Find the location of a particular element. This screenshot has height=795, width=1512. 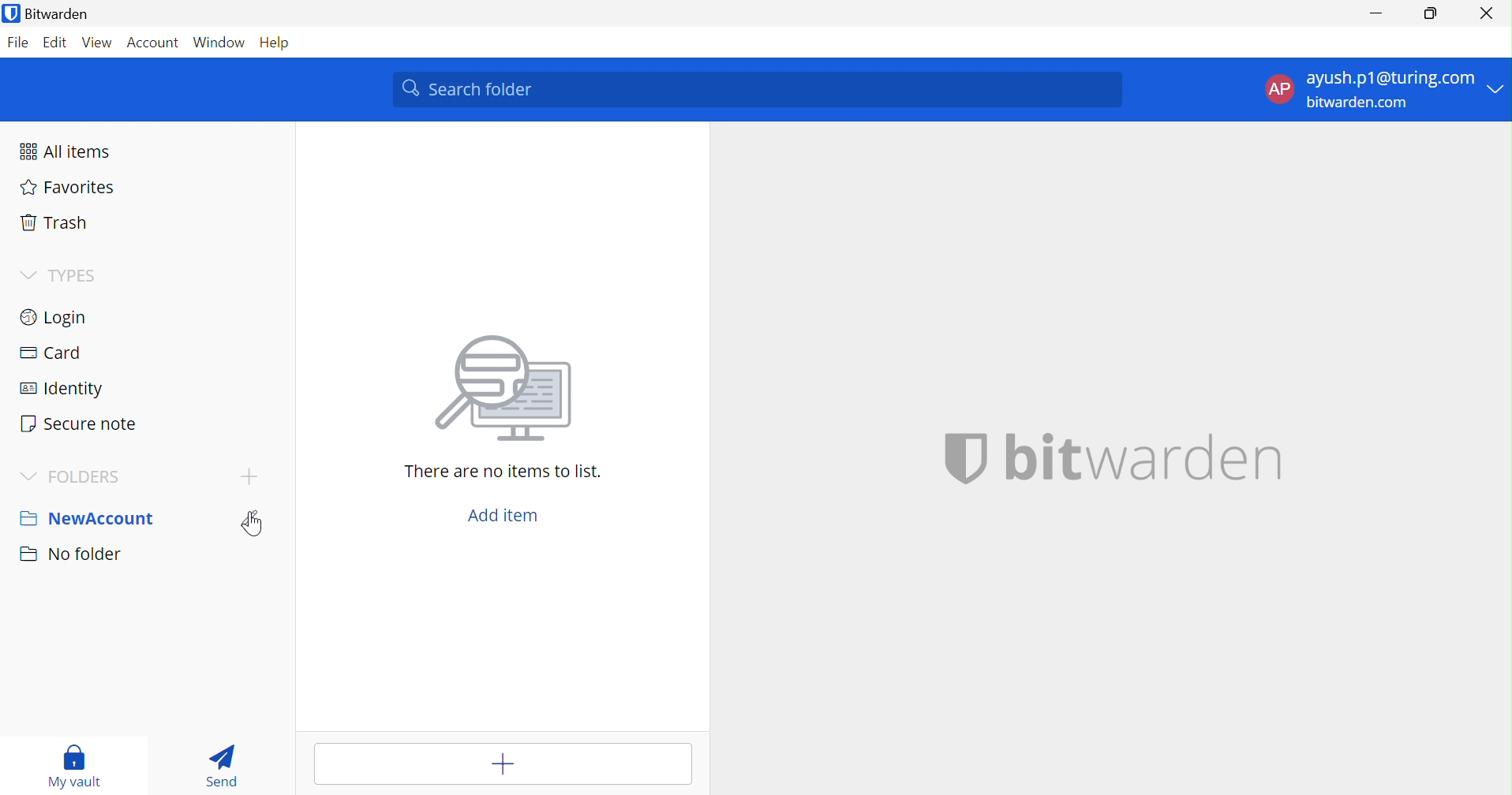

searching for file image is located at coordinates (505, 390).